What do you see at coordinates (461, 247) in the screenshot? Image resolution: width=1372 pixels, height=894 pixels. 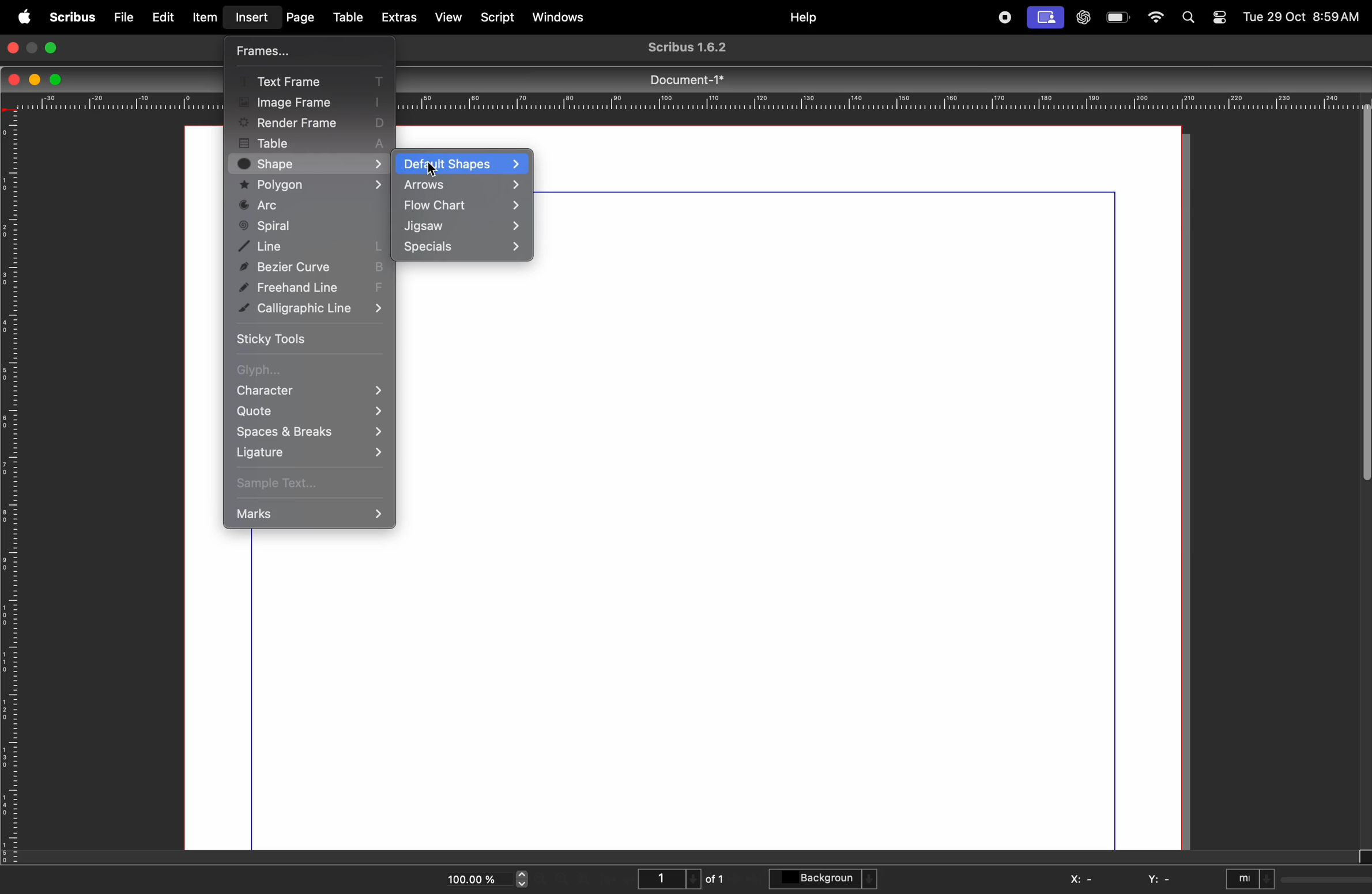 I see `specials` at bounding box center [461, 247].